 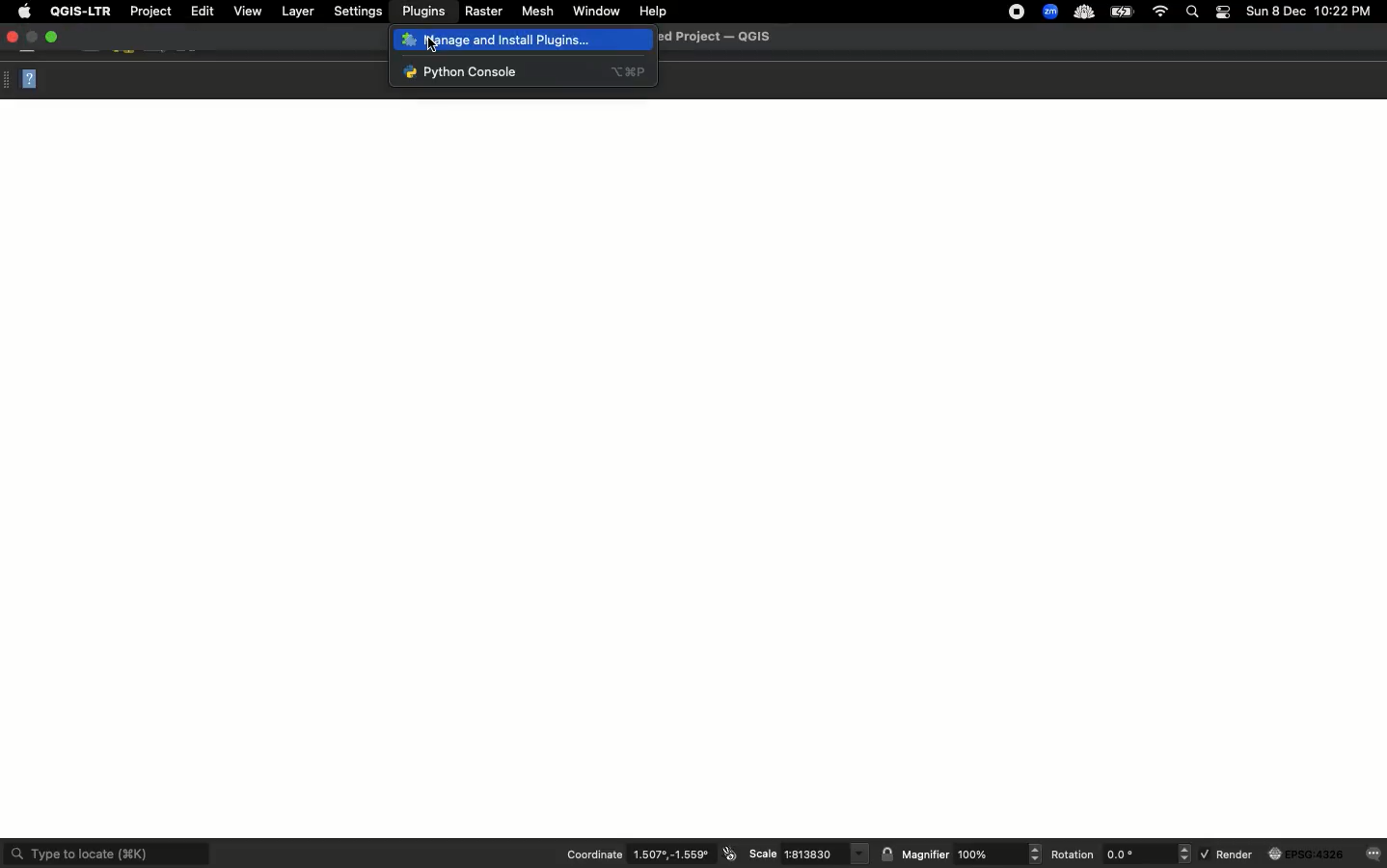 What do you see at coordinates (295, 12) in the screenshot?
I see `Layer` at bounding box center [295, 12].